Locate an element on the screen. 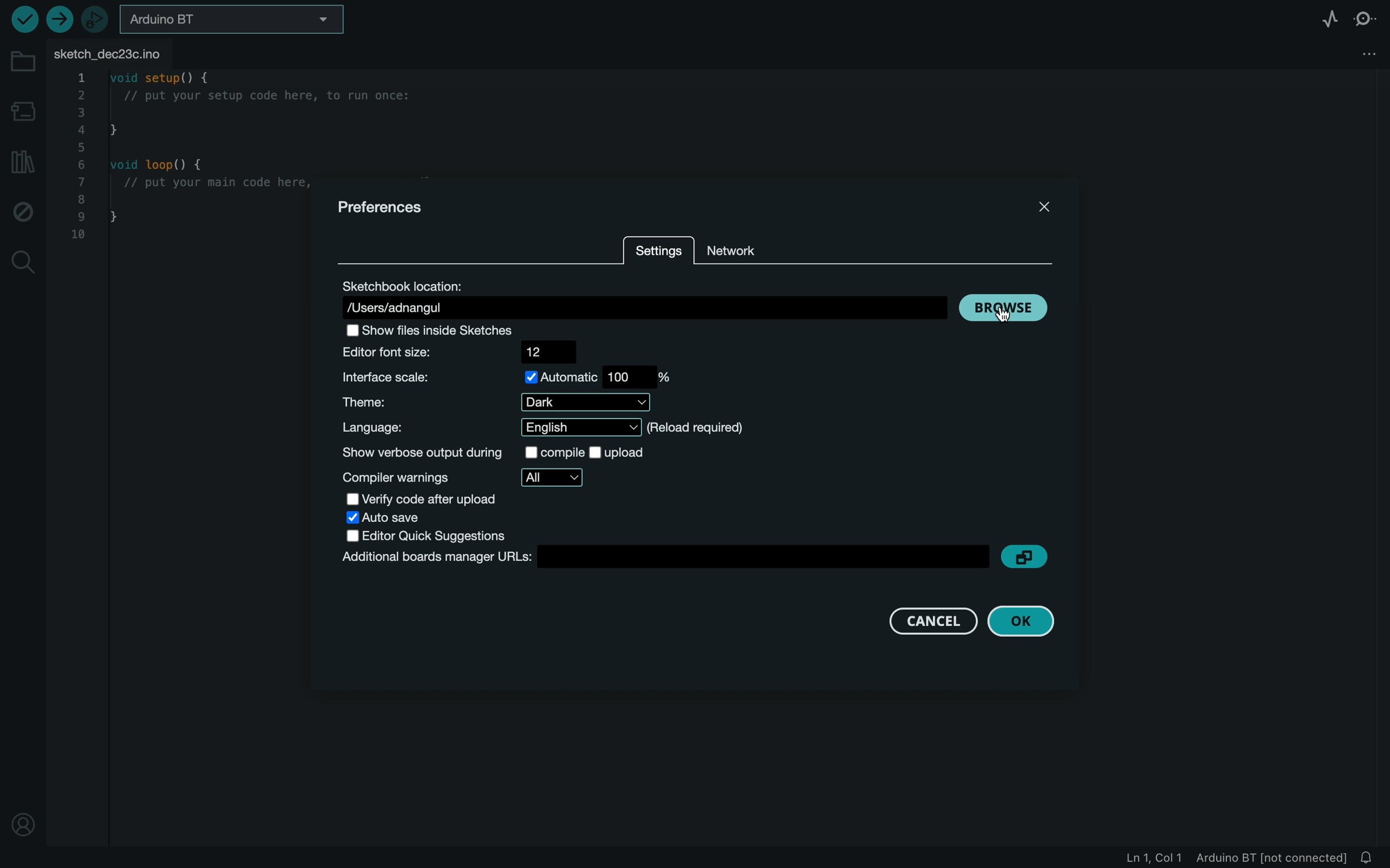 Image resolution: width=1390 pixels, height=868 pixels. interface scale is located at coordinates (505, 379).